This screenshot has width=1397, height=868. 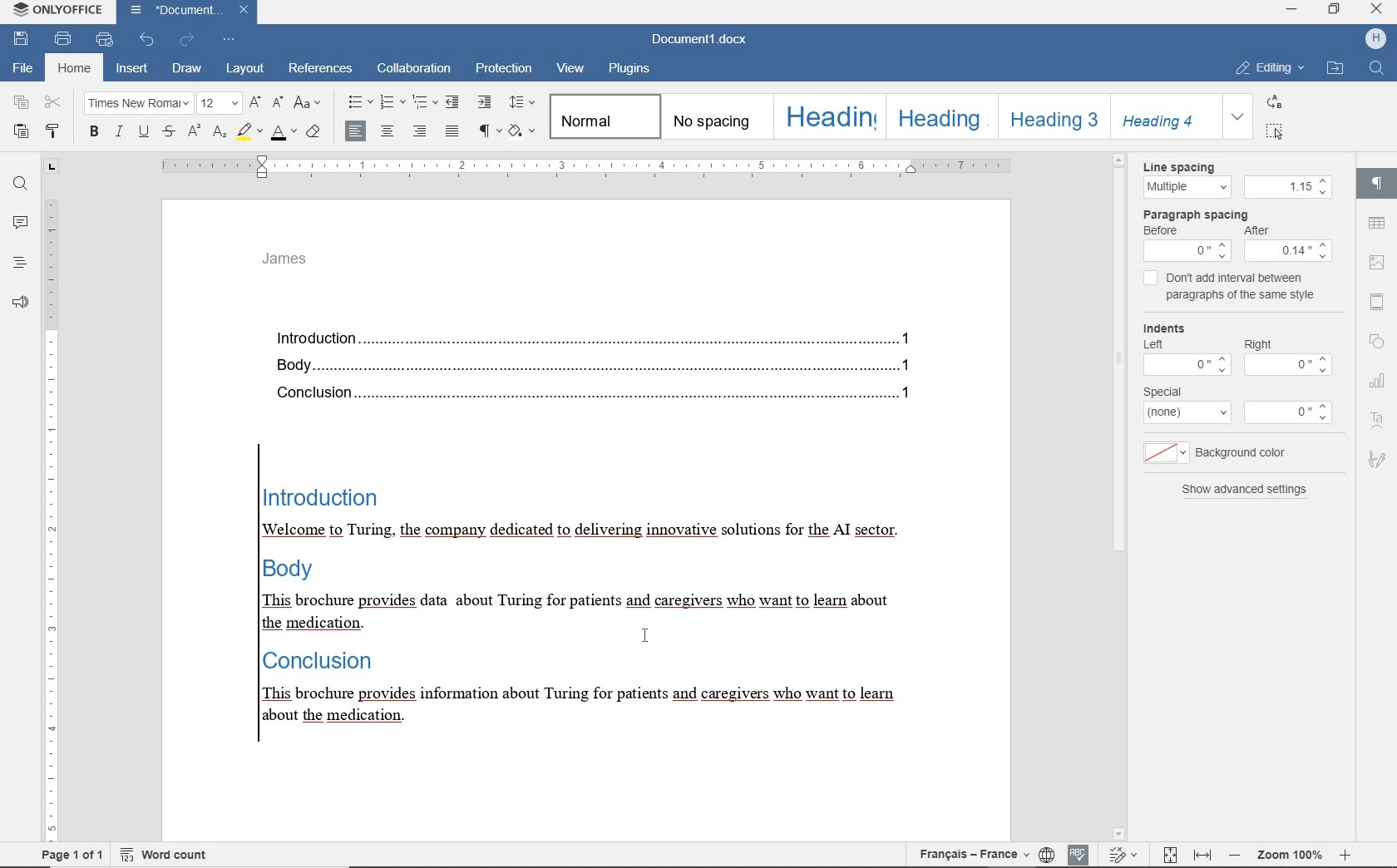 What do you see at coordinates (1276, 133) in the screenshot?
I see `select all` at bounding box center [1276, 133].